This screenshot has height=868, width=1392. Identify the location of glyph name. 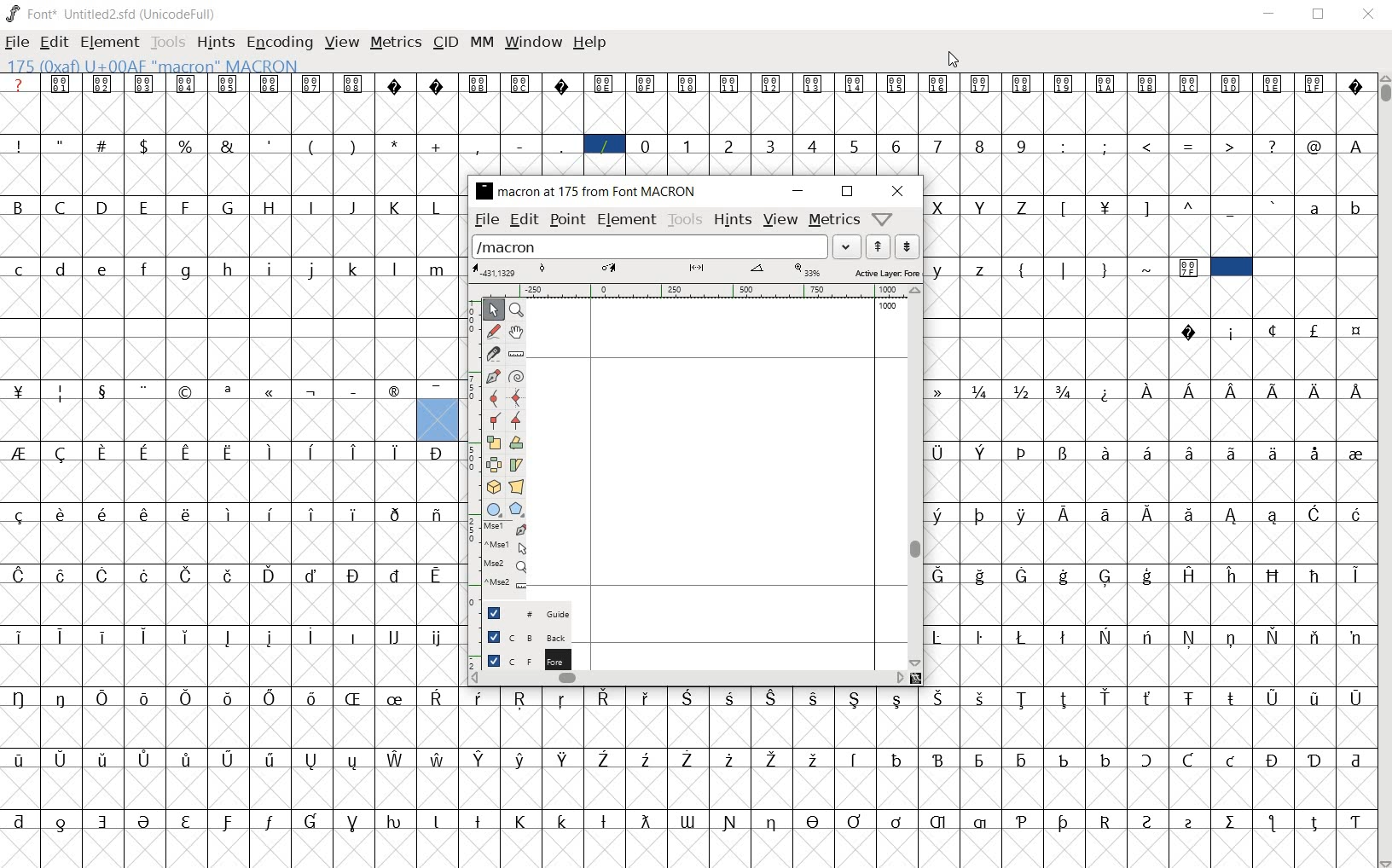
(589, 192).